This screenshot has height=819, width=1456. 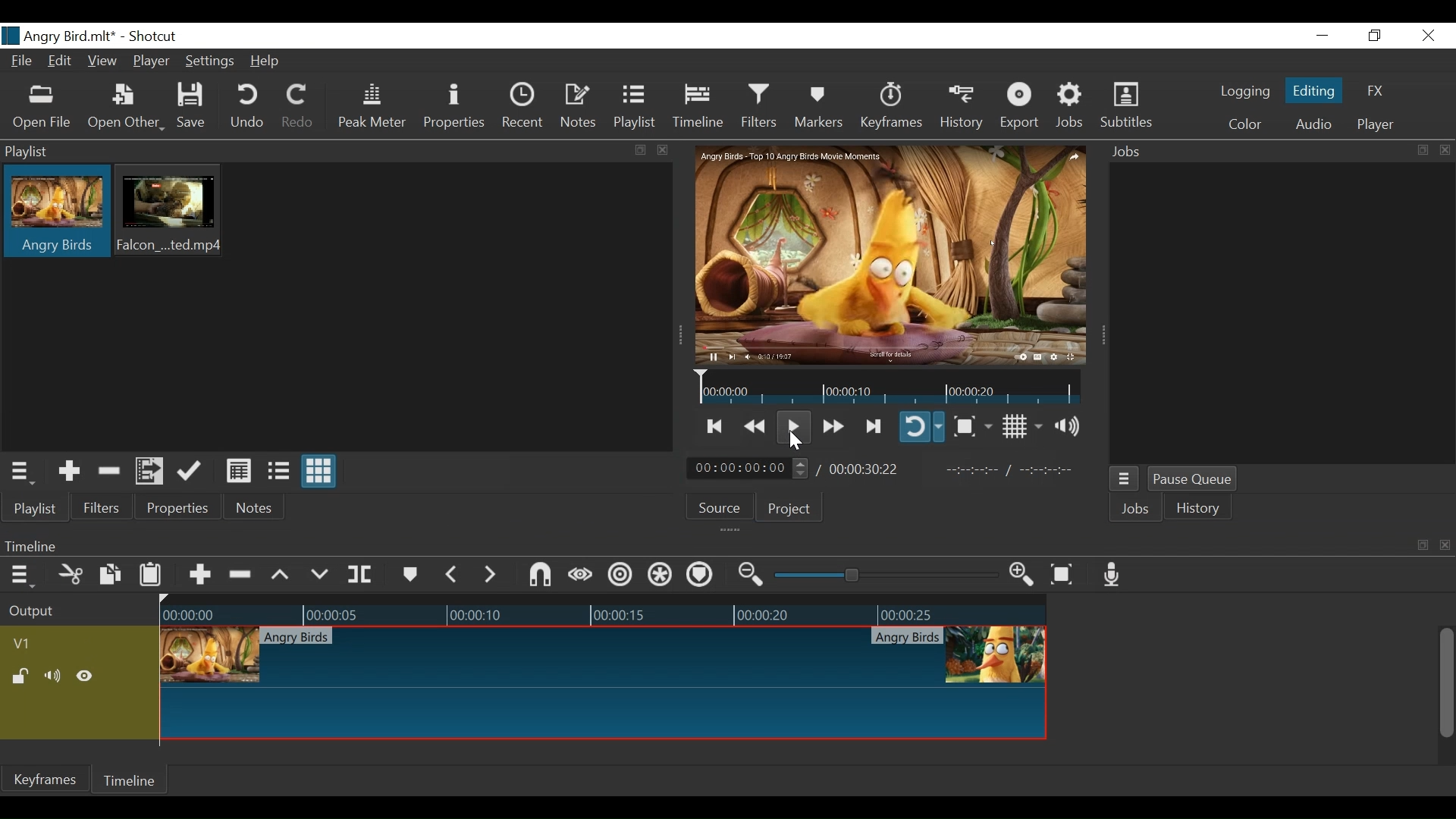 What do you see at coordinates (108, 575) in the screenshot?
I see `Copy` at bounding box center [108, 575].